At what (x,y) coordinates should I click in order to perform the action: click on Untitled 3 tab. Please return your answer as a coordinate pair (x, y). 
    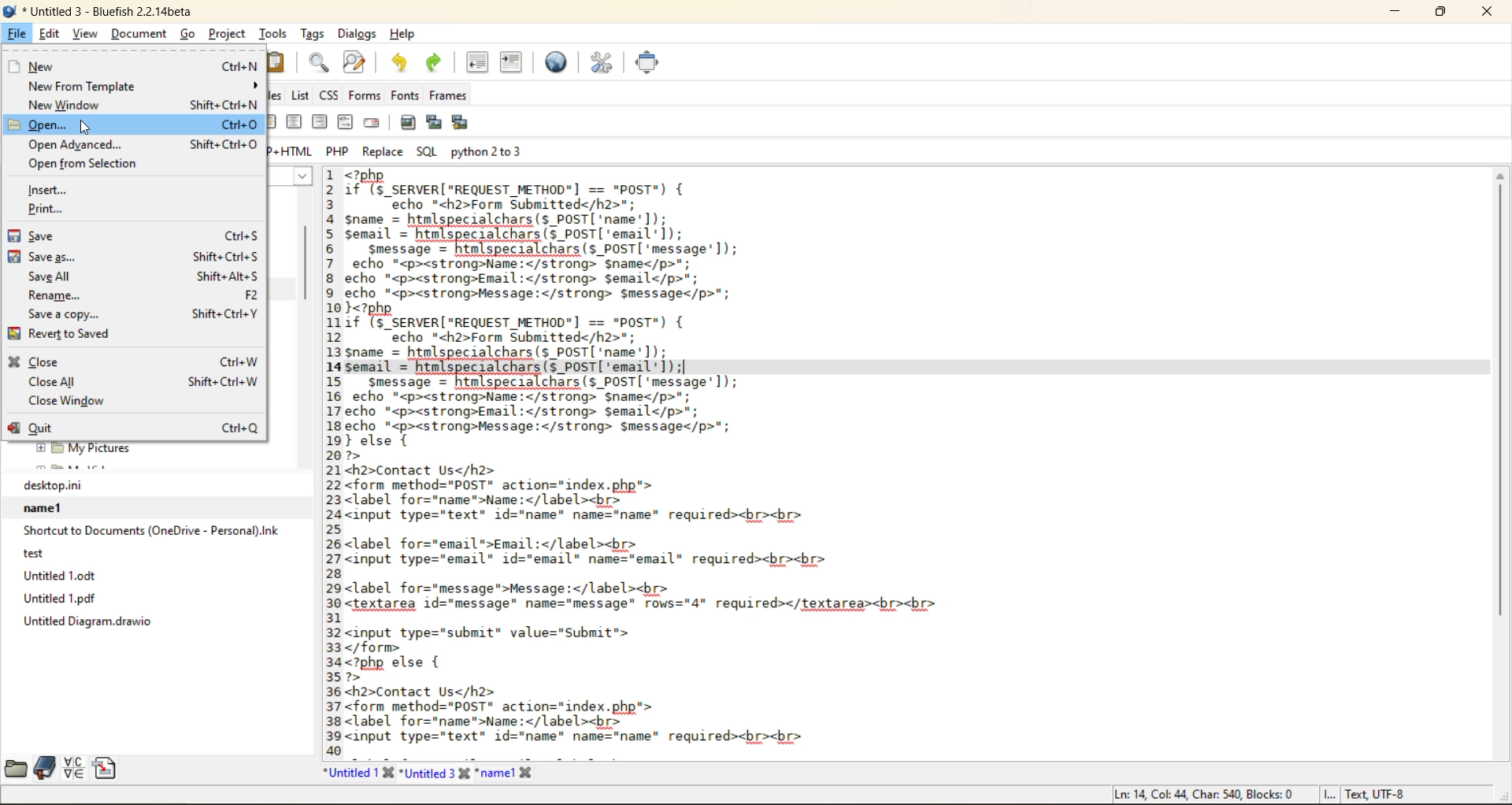
    Looking at the image, I should click on (435, 773).